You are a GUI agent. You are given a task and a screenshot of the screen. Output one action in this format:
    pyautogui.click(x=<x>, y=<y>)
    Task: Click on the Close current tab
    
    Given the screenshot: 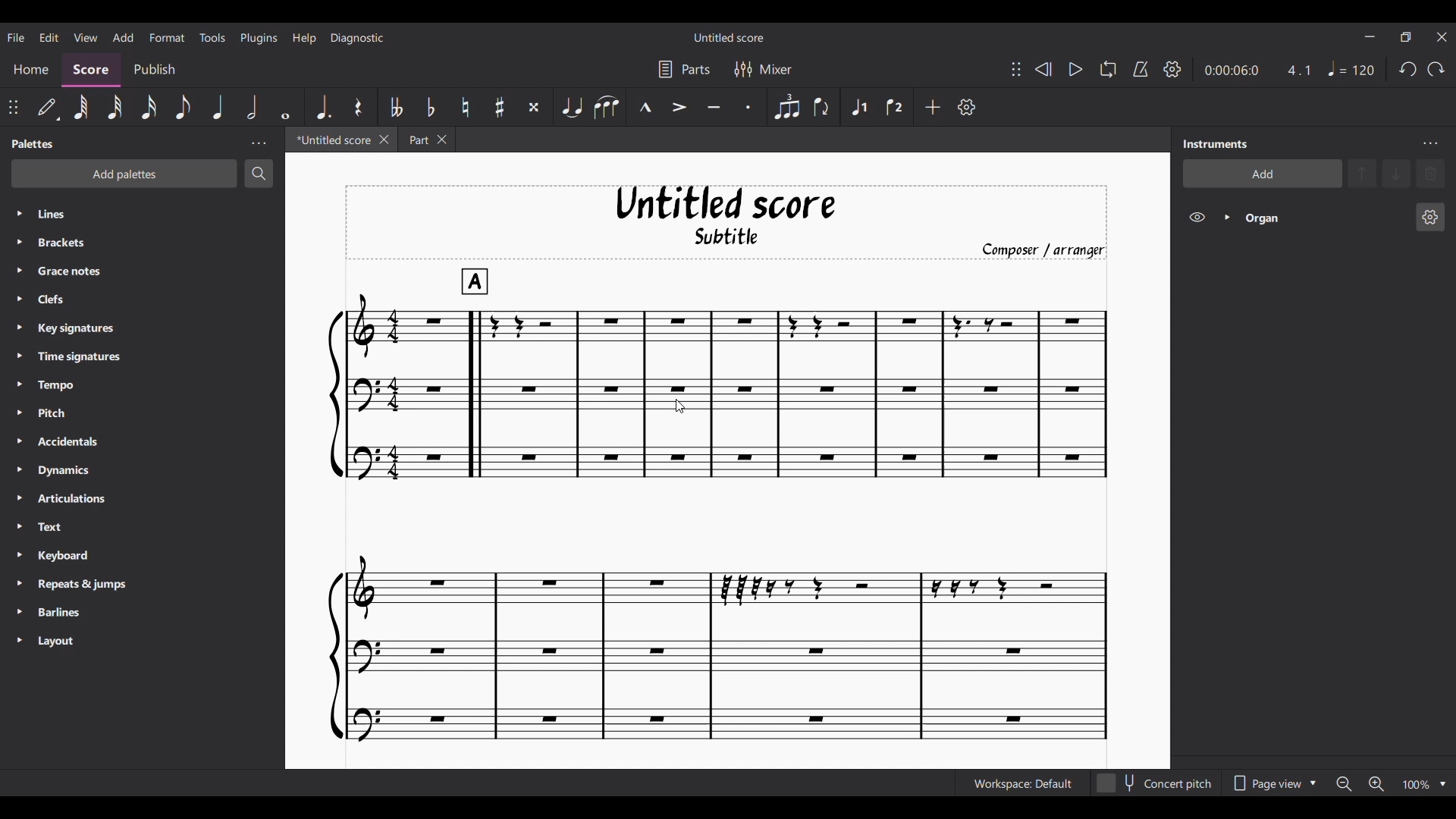 What is the action you would take?
    pyautogui.click(x=384, y=140)
    